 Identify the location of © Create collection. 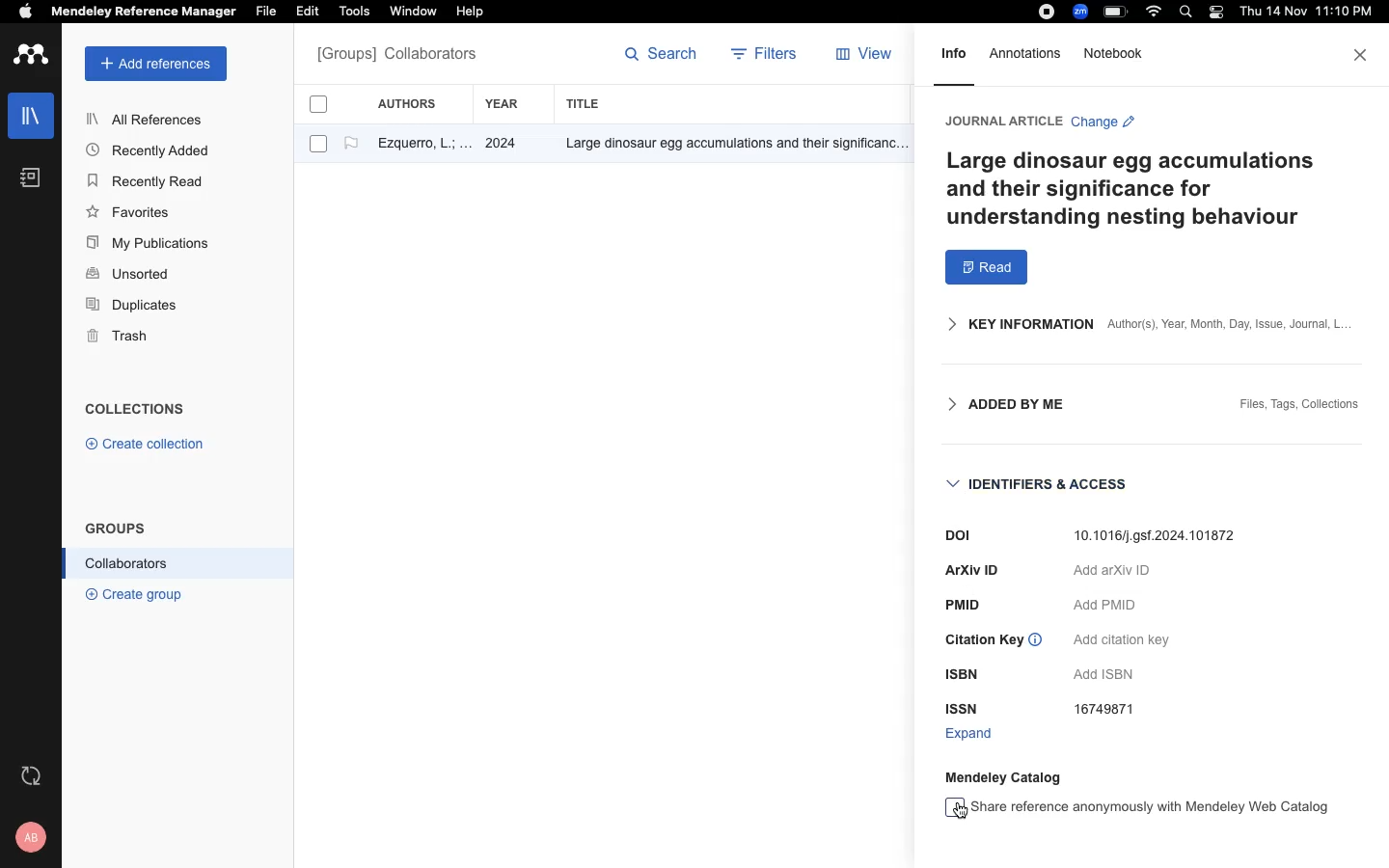
(146, 448).